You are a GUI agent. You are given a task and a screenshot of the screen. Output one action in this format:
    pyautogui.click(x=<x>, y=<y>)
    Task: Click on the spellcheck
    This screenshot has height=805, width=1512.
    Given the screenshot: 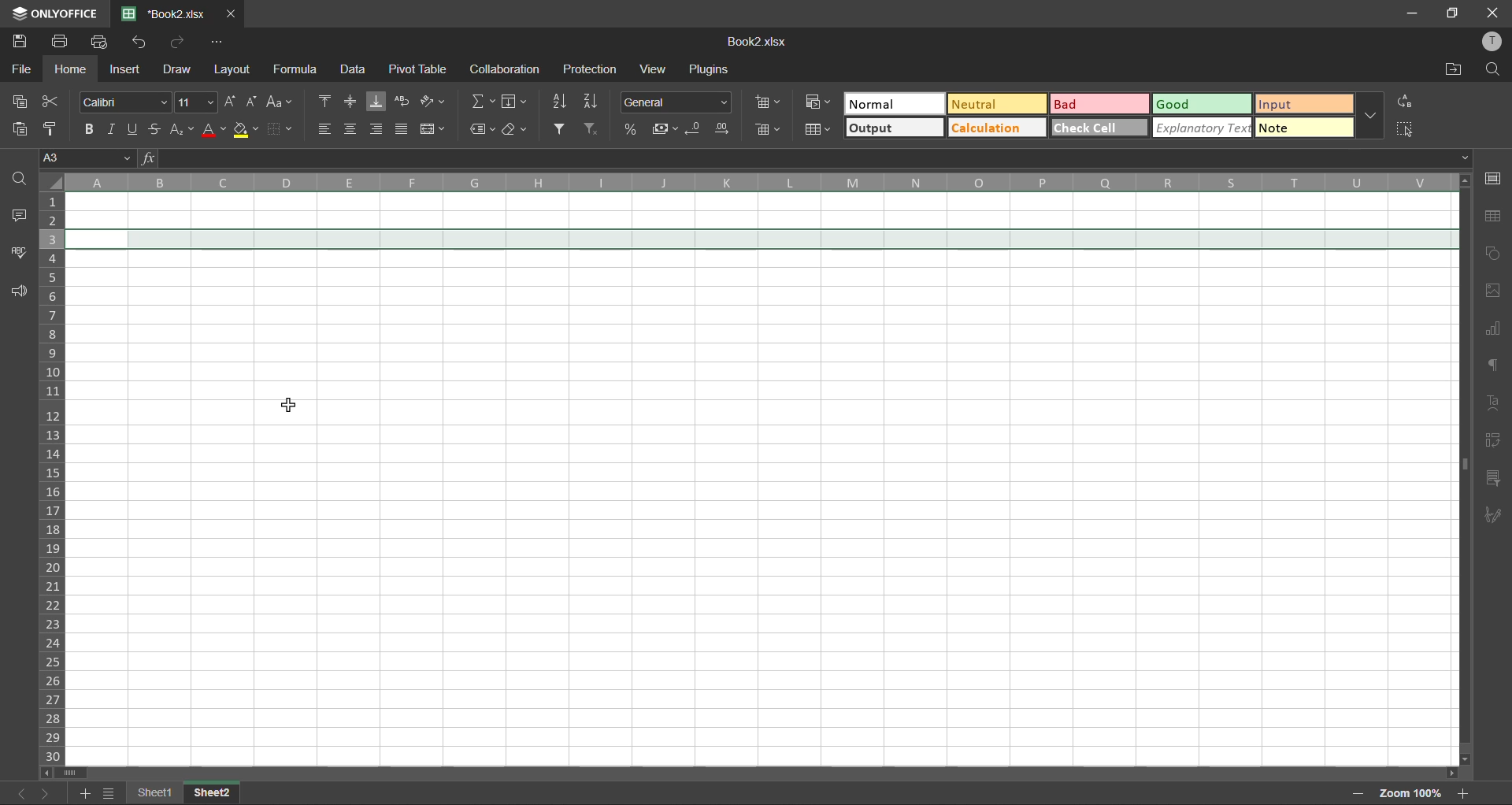 What is the action you would take?
    pyautogui.click(x=19, y=254)
    